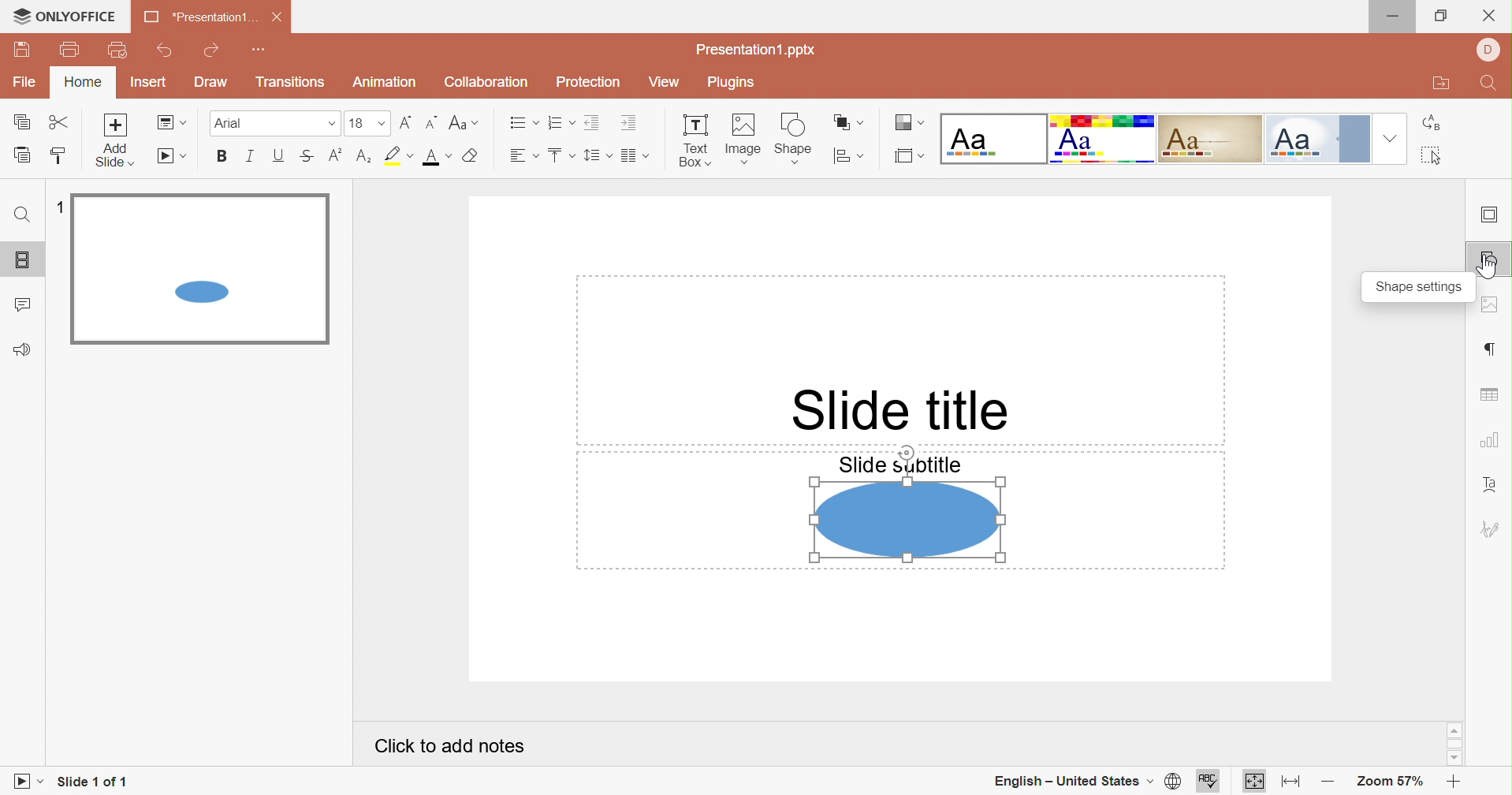 The height and width of the screenshot is (795, 1512). I want to click on Decrease Indent, so click(592, 125).